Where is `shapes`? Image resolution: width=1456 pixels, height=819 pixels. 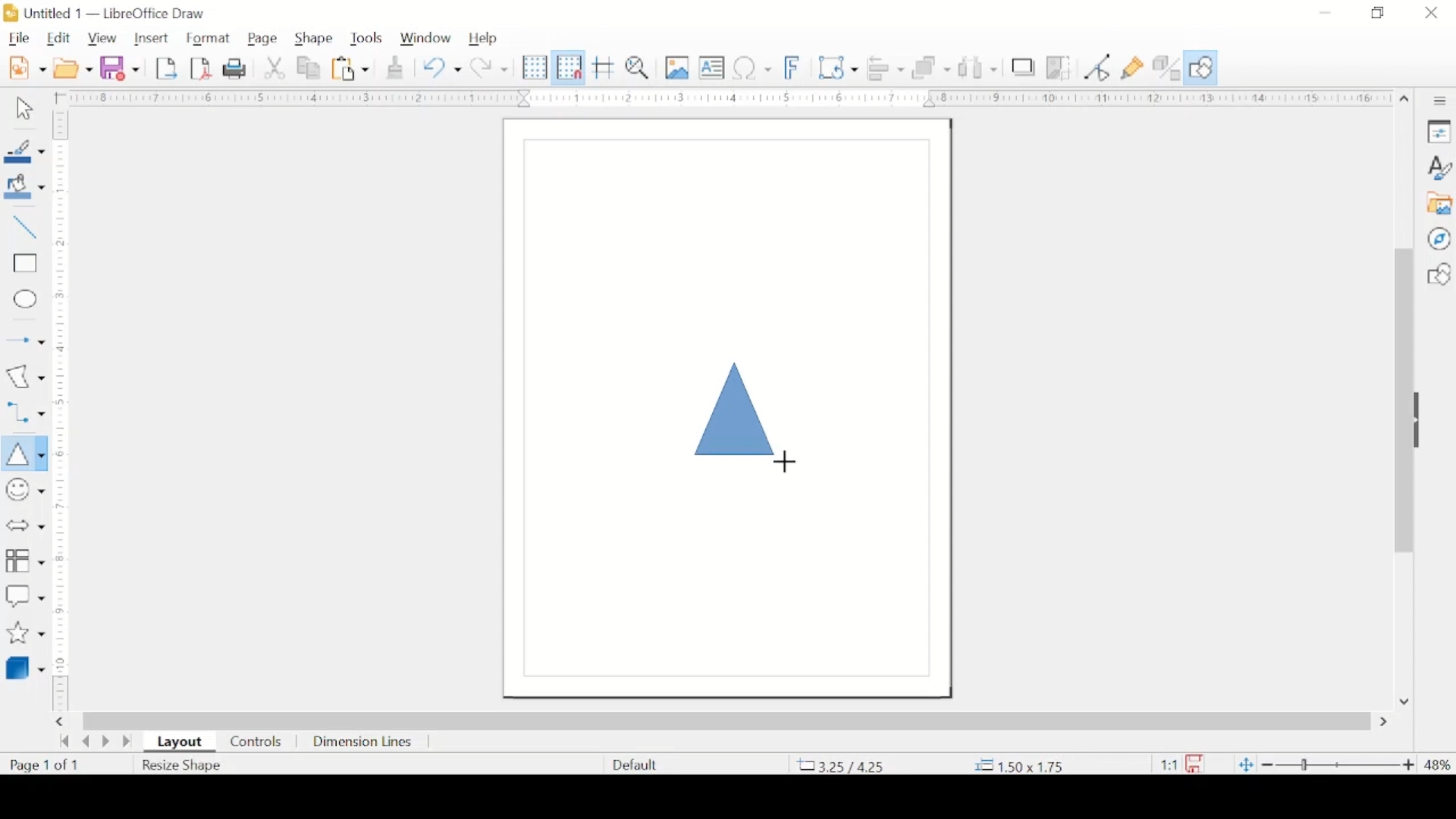 shapes is located at coordinates (1439, 275).